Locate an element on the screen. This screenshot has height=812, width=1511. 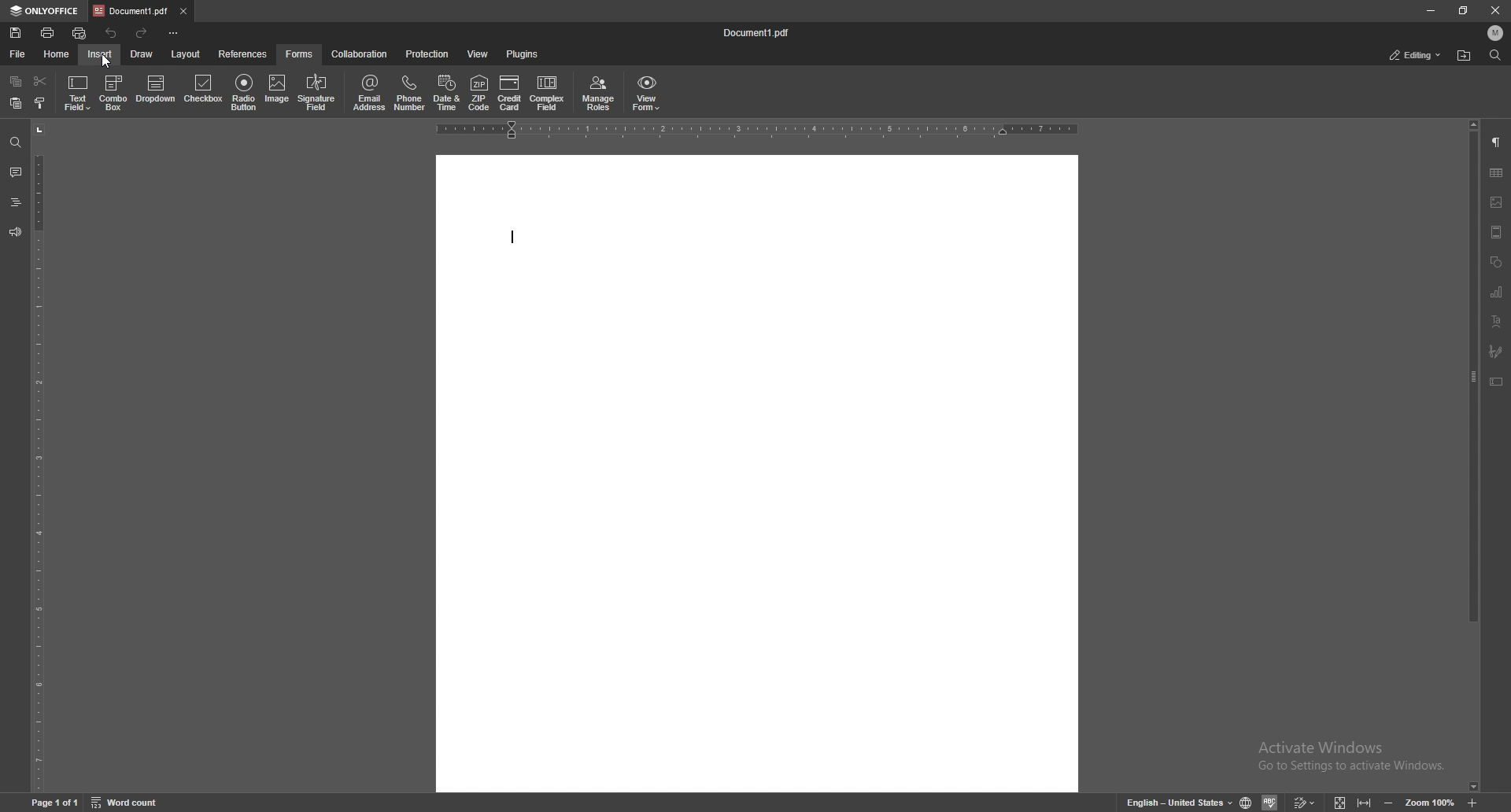
page is located at coordinates (55, 803).